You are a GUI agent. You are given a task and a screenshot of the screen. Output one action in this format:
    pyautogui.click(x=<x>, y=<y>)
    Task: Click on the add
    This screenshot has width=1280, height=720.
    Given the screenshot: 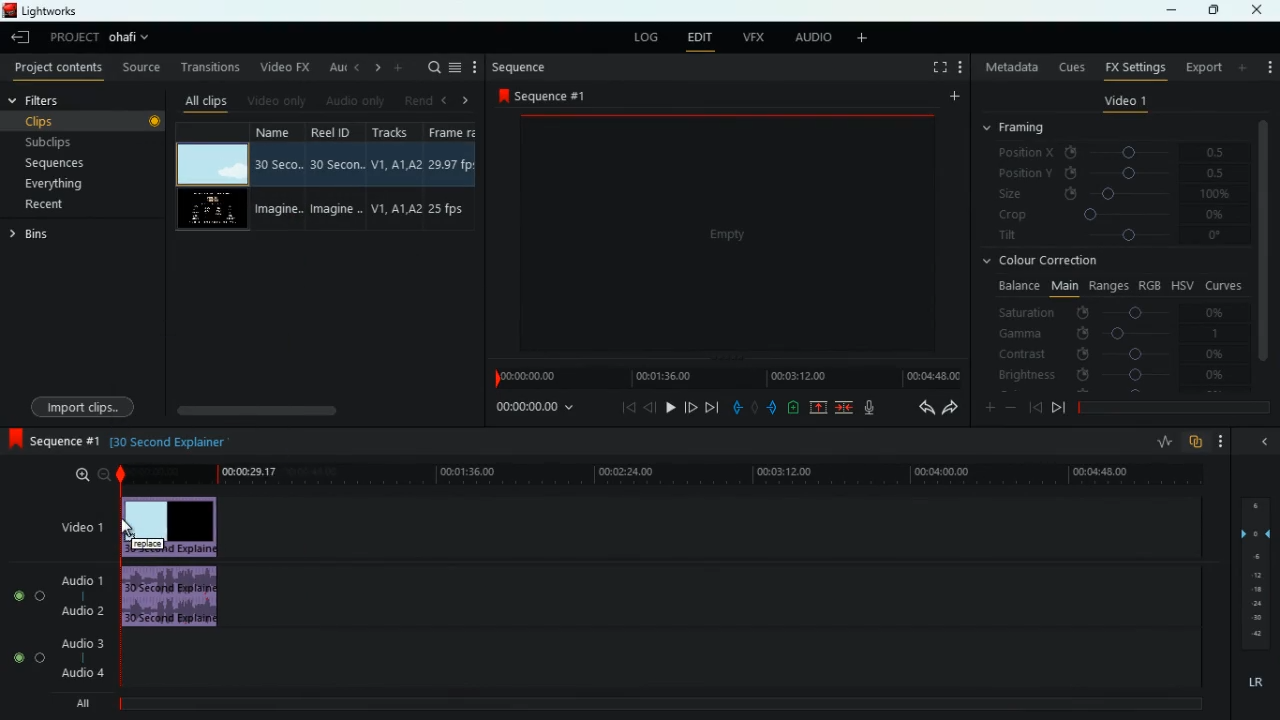 What is the action you would take?
    pyautogui.click(x=398, y=69)
    